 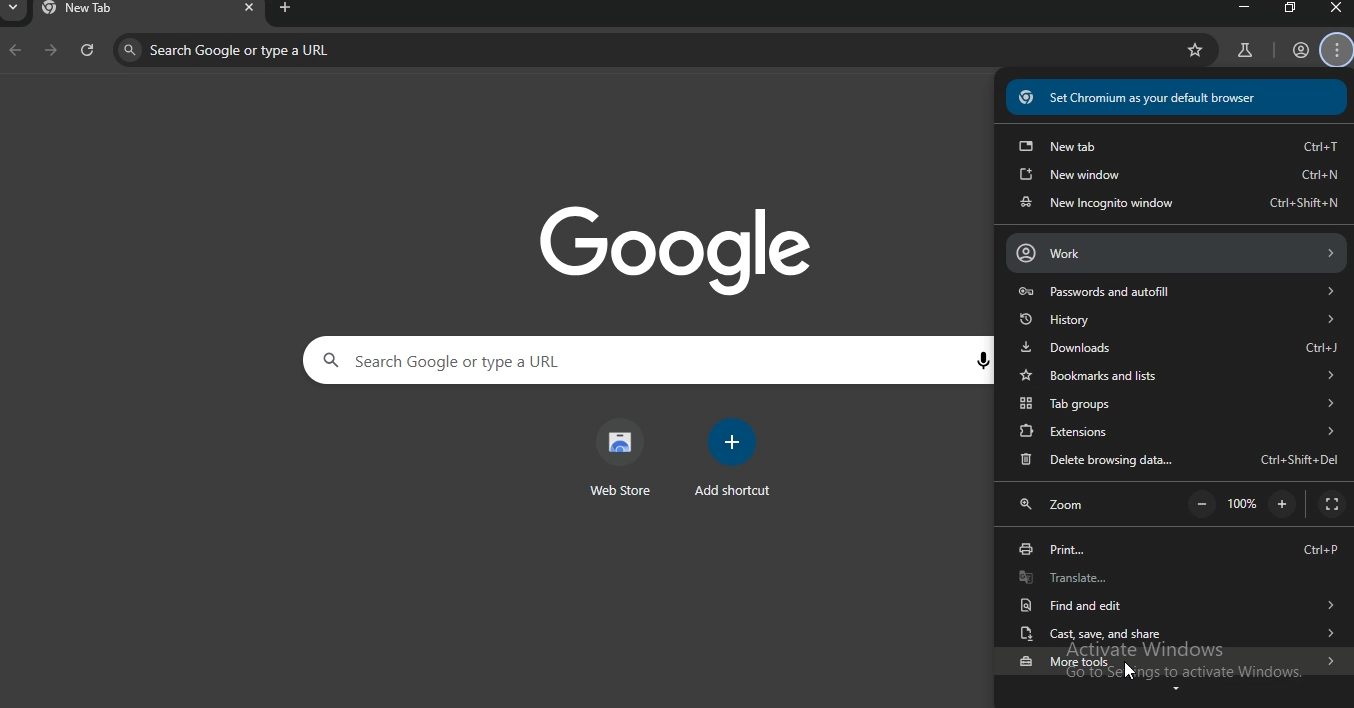 I want to click on downloads, so click(x=1178, y=348).